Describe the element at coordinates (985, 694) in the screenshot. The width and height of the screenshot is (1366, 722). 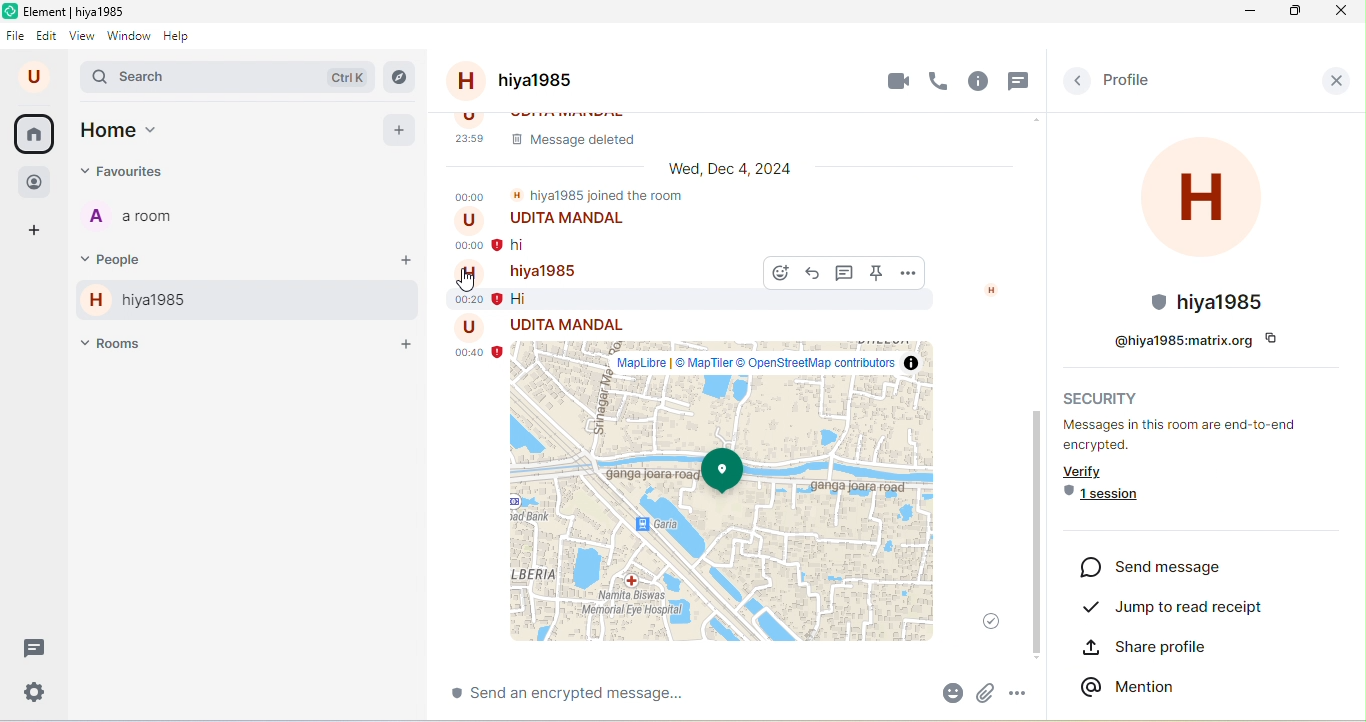
I see `attachment` at that location.